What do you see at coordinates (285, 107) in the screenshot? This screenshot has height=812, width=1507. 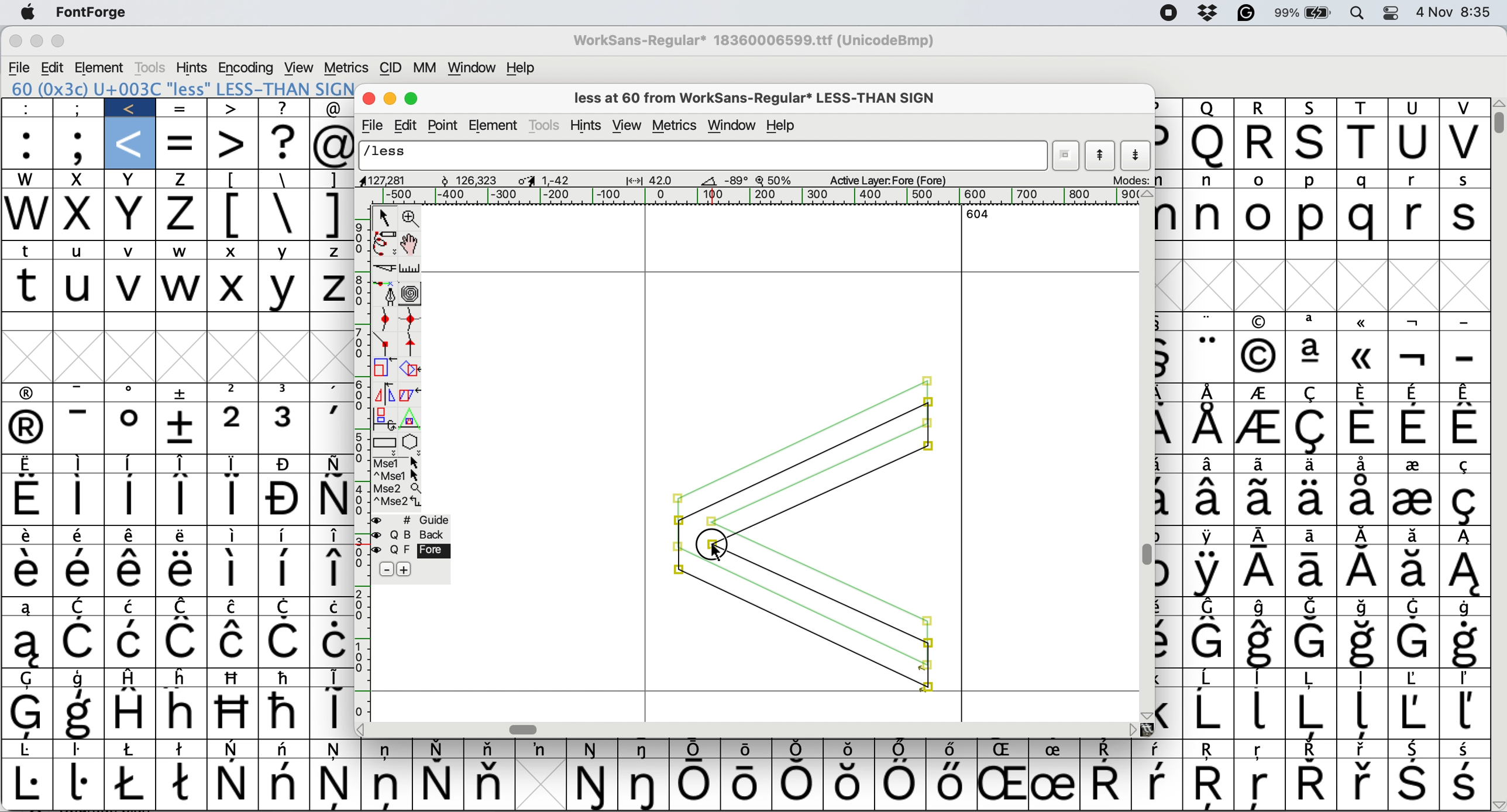 I see `?` at bounding box center [285, 107].